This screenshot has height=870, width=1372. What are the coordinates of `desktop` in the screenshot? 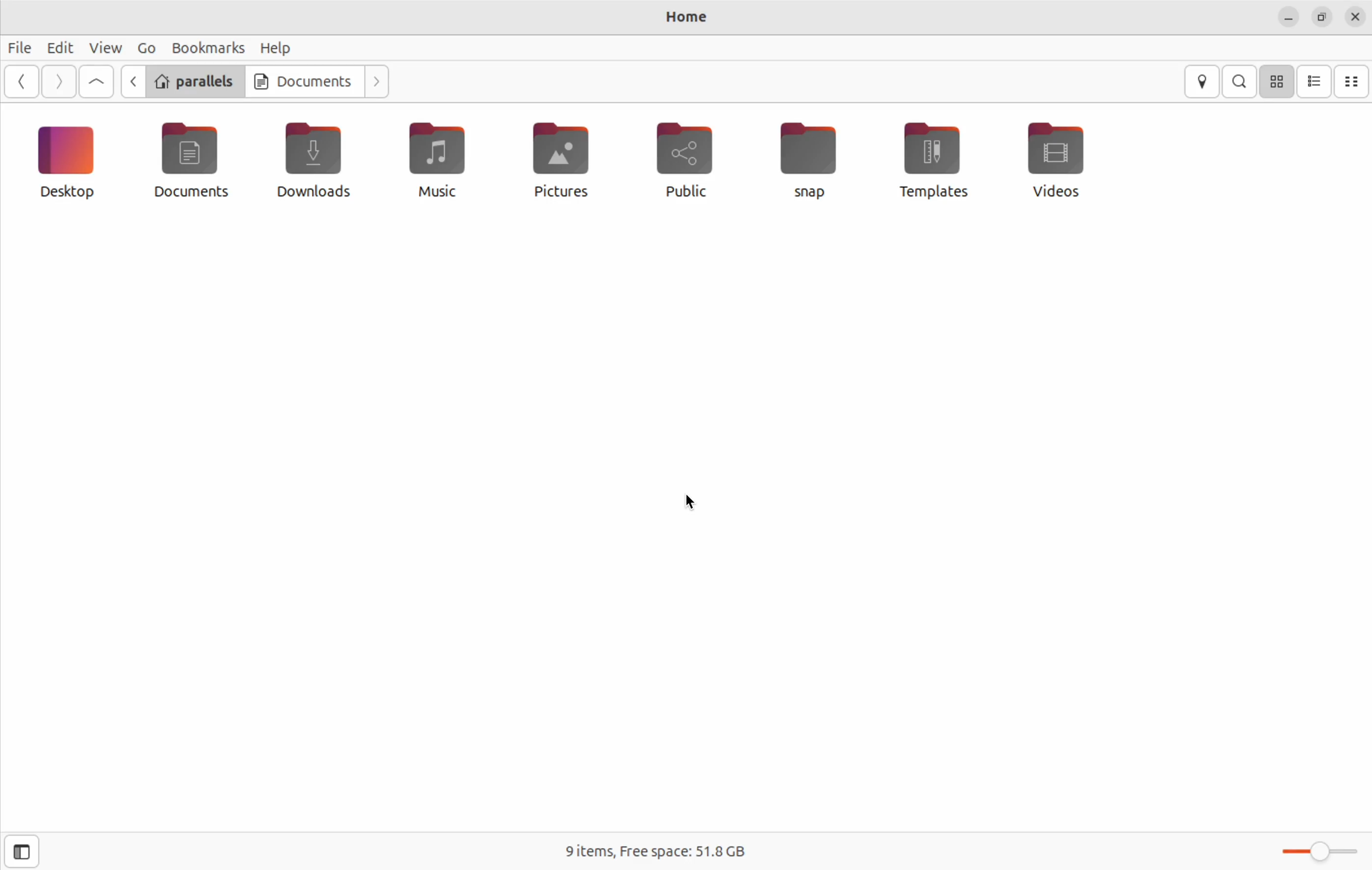 It's located at (71, 165).